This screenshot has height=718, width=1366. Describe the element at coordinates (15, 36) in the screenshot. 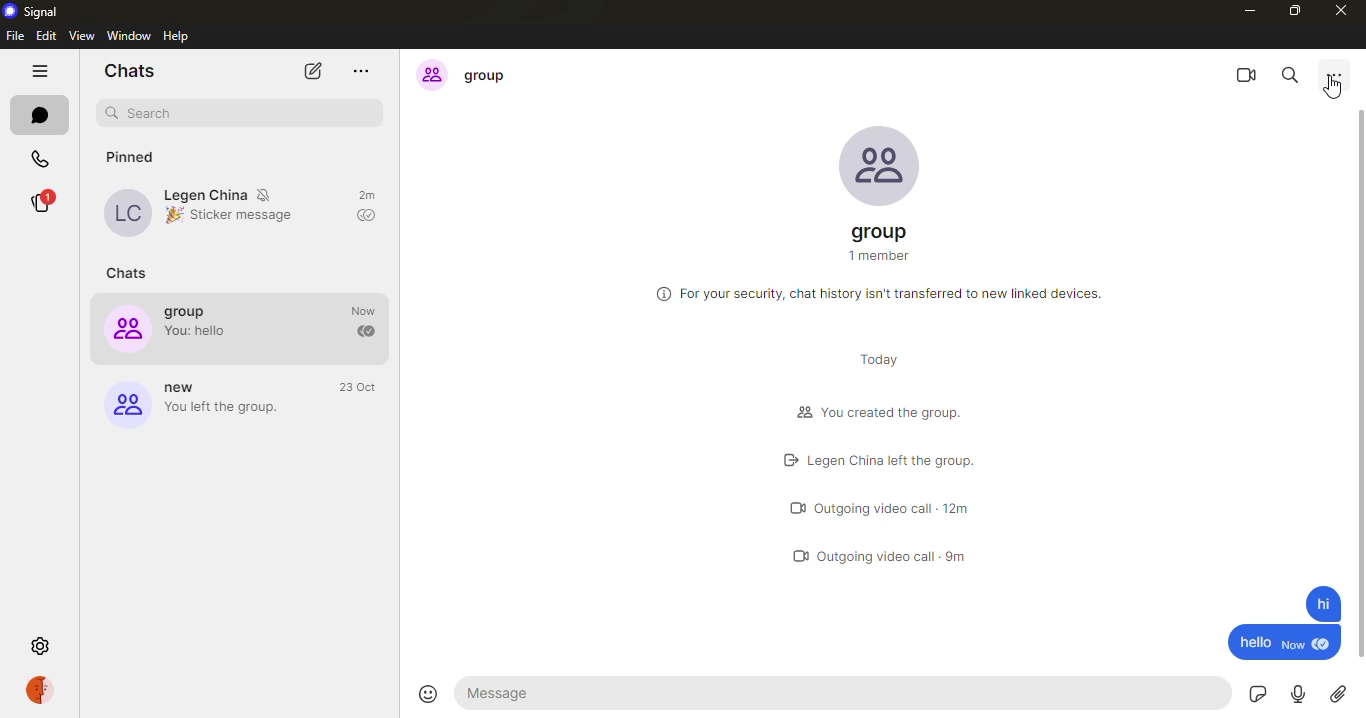

I see `file` at that location.